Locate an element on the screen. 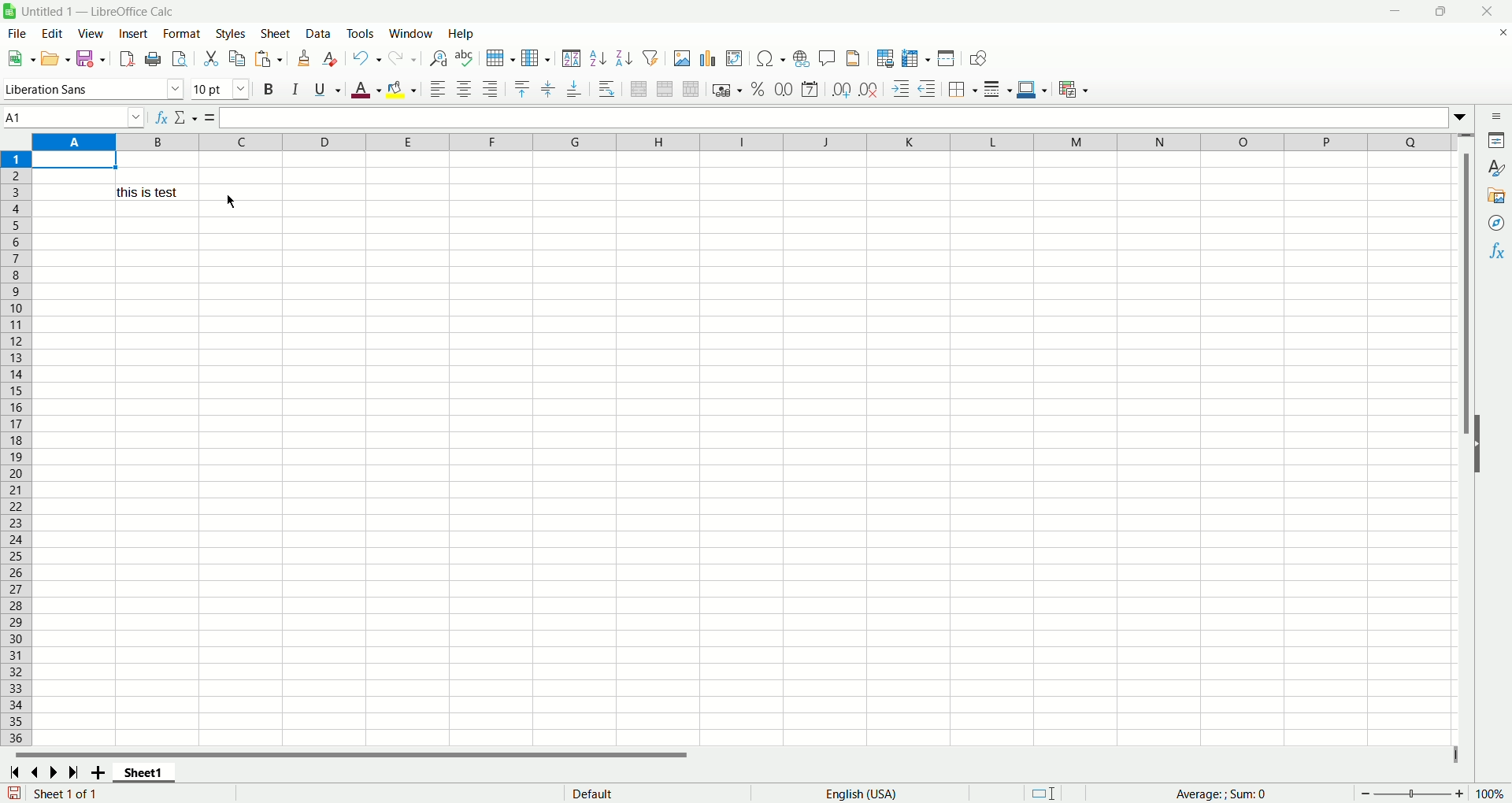 The height and width of the screenshot is (803, 1512). Maximize is located at coordinates (1440, 12).